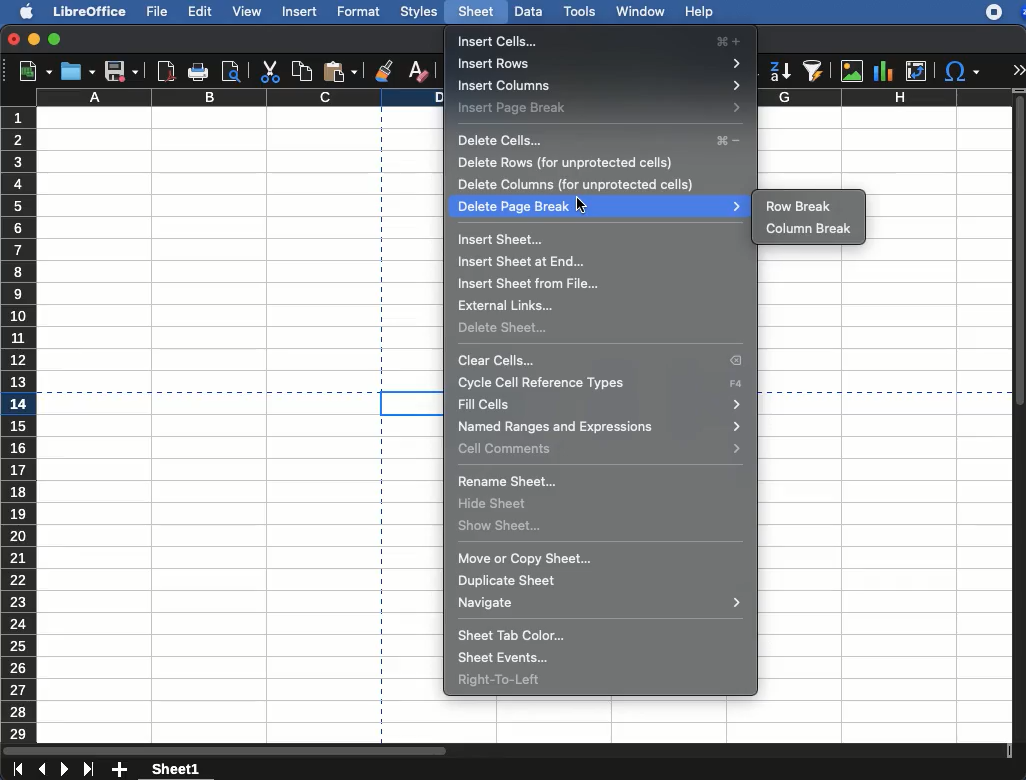 The image size is (1026, 780). Describe the element at coordinates (242, 98) in the screenshot. I see `column` at that location.